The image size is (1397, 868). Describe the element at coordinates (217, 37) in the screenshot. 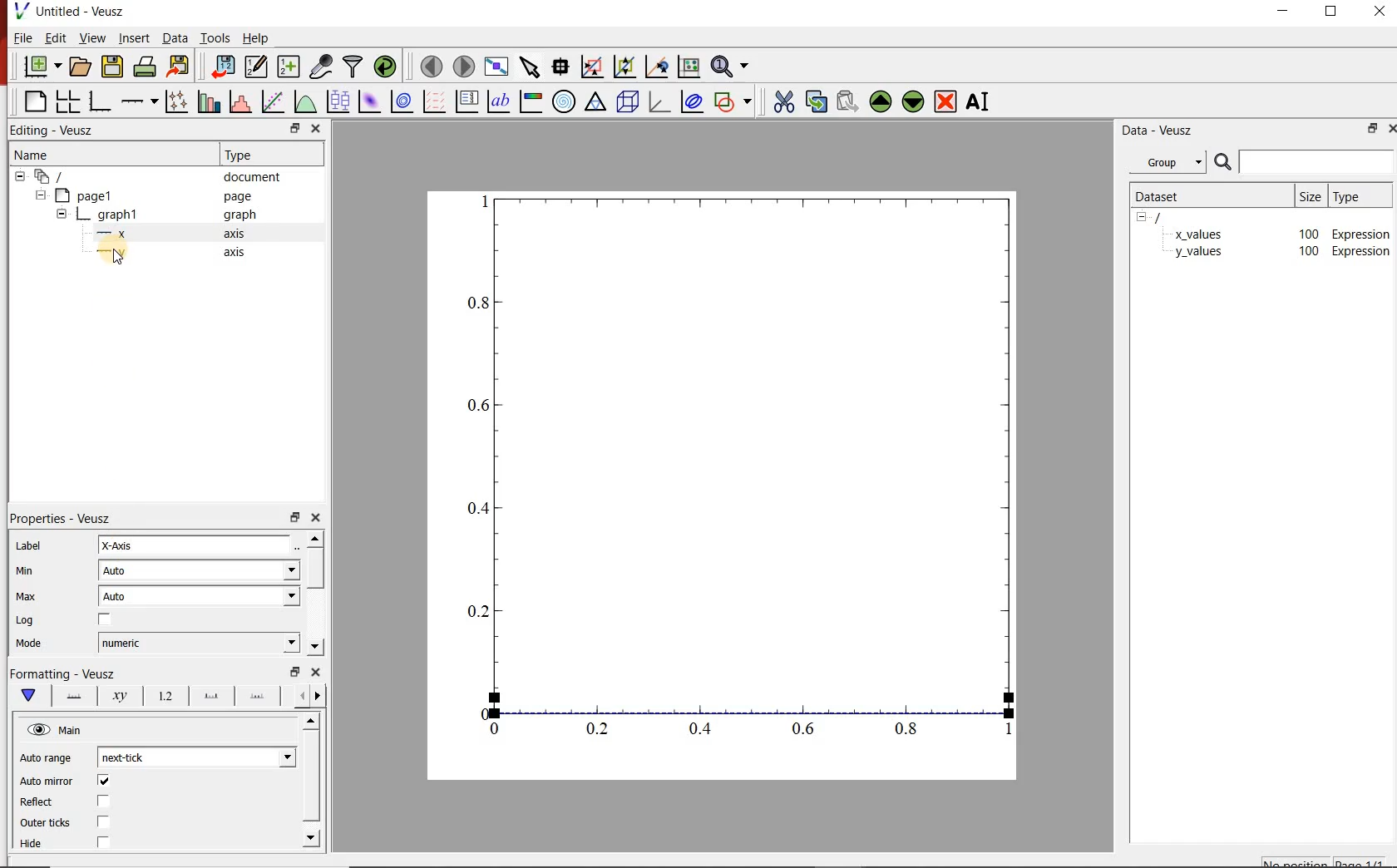

I see `tools` at that location.